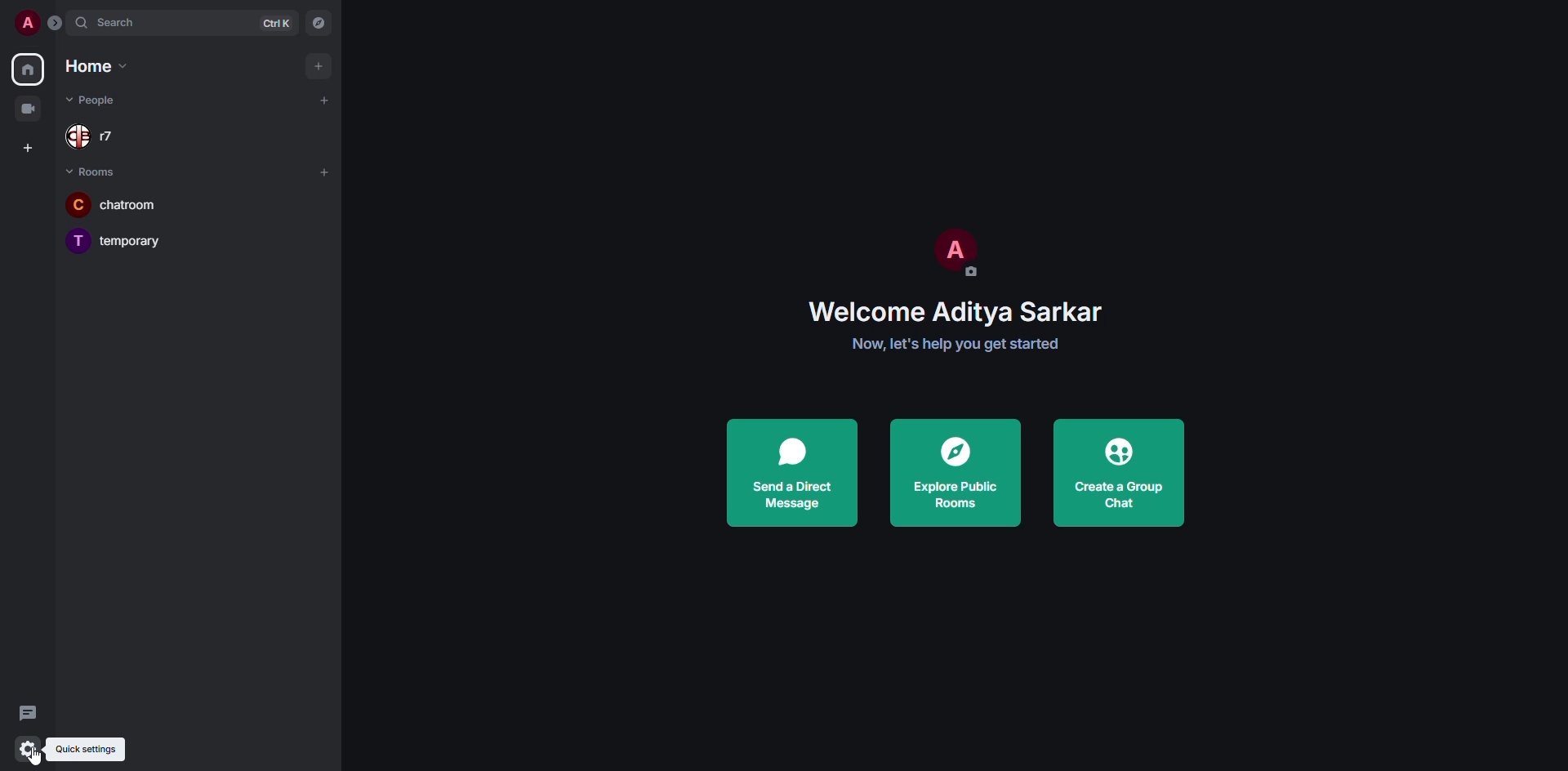 The width and height of the screenshot is (1568, 771). I want to click on welcome, so click(956, 314).